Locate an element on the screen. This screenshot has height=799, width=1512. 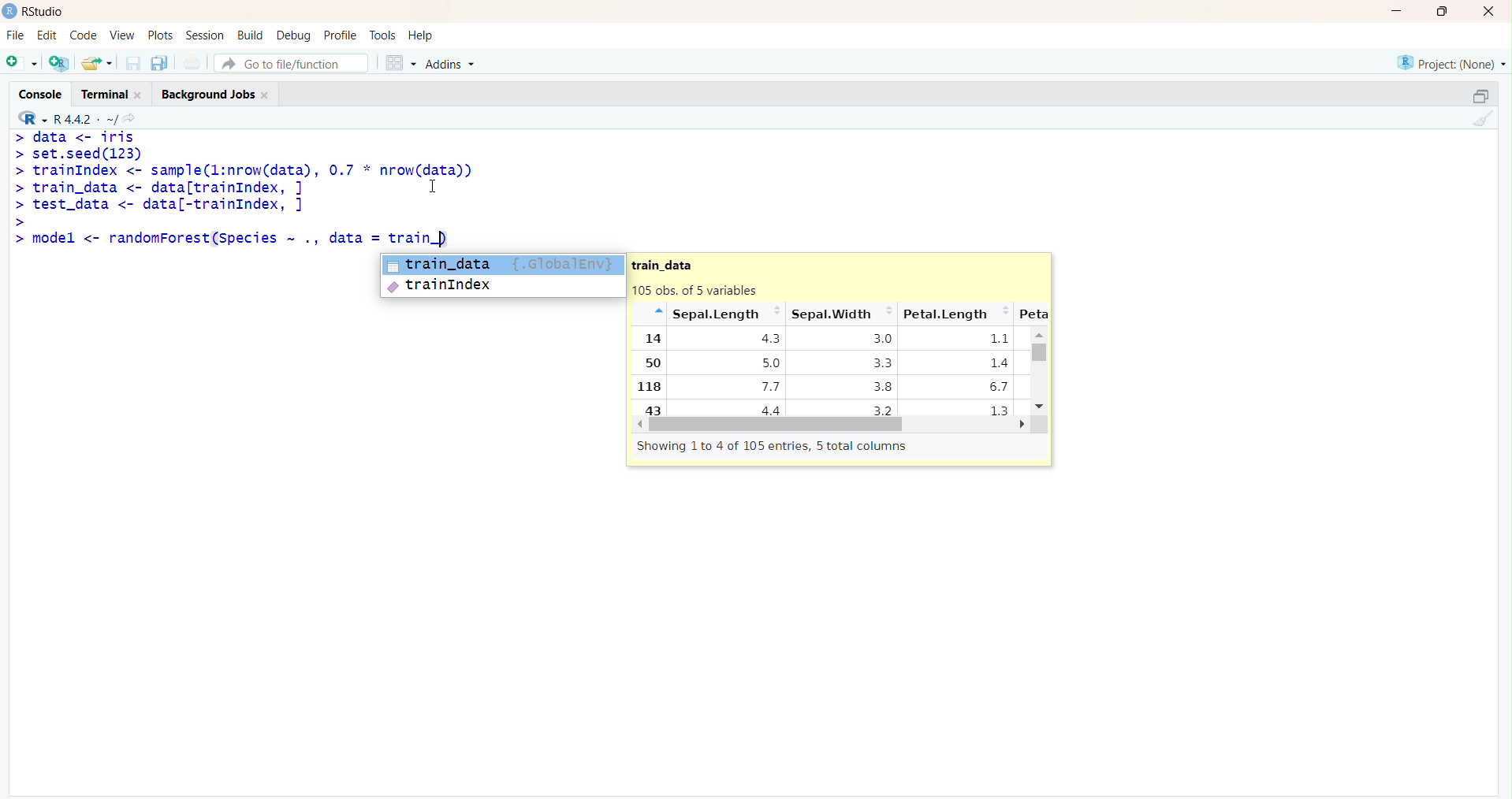
Save all open documents (Ctrl + Alt + S) is located at coordinates (158, 61).